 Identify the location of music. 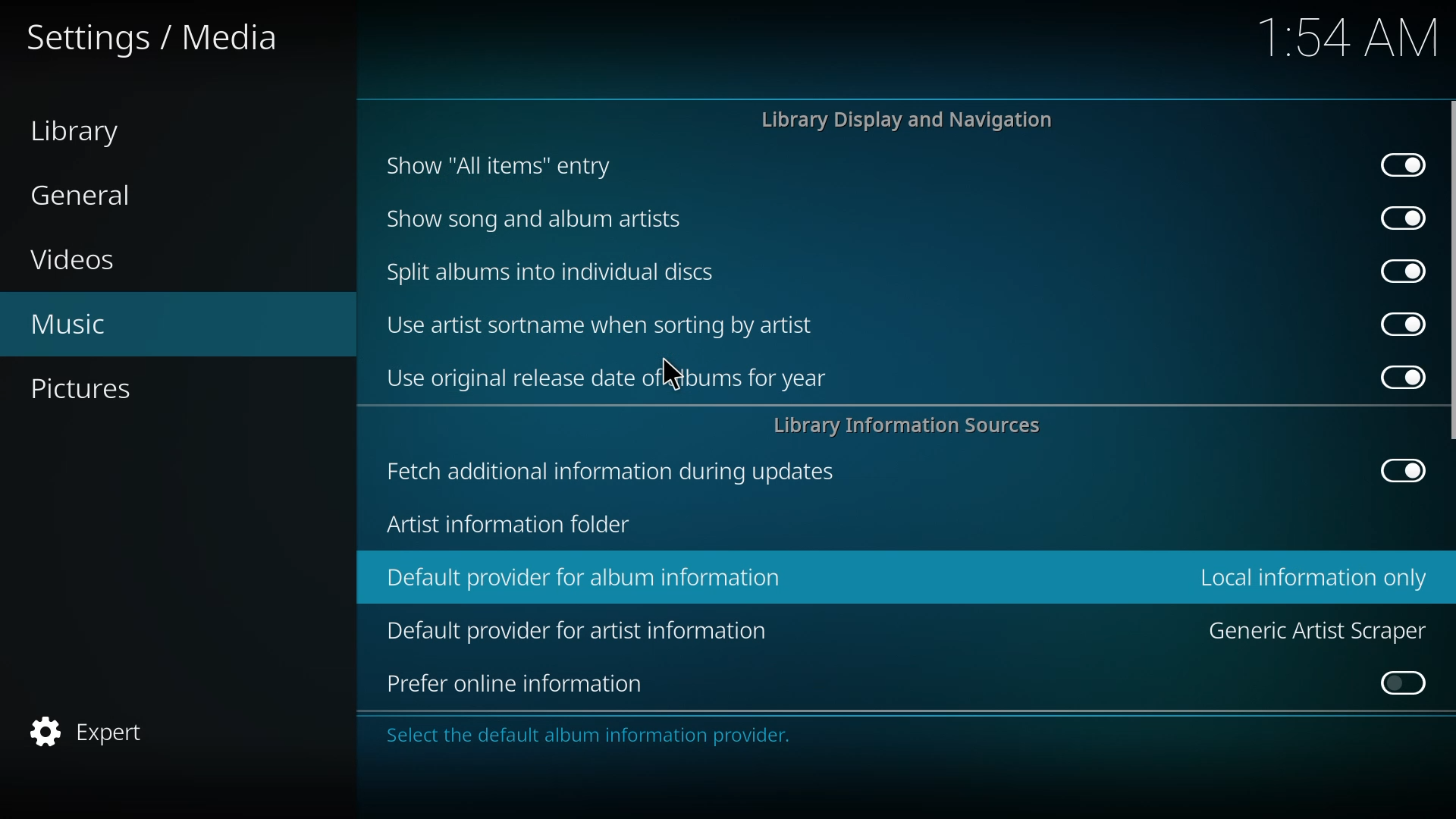
(82, 325).